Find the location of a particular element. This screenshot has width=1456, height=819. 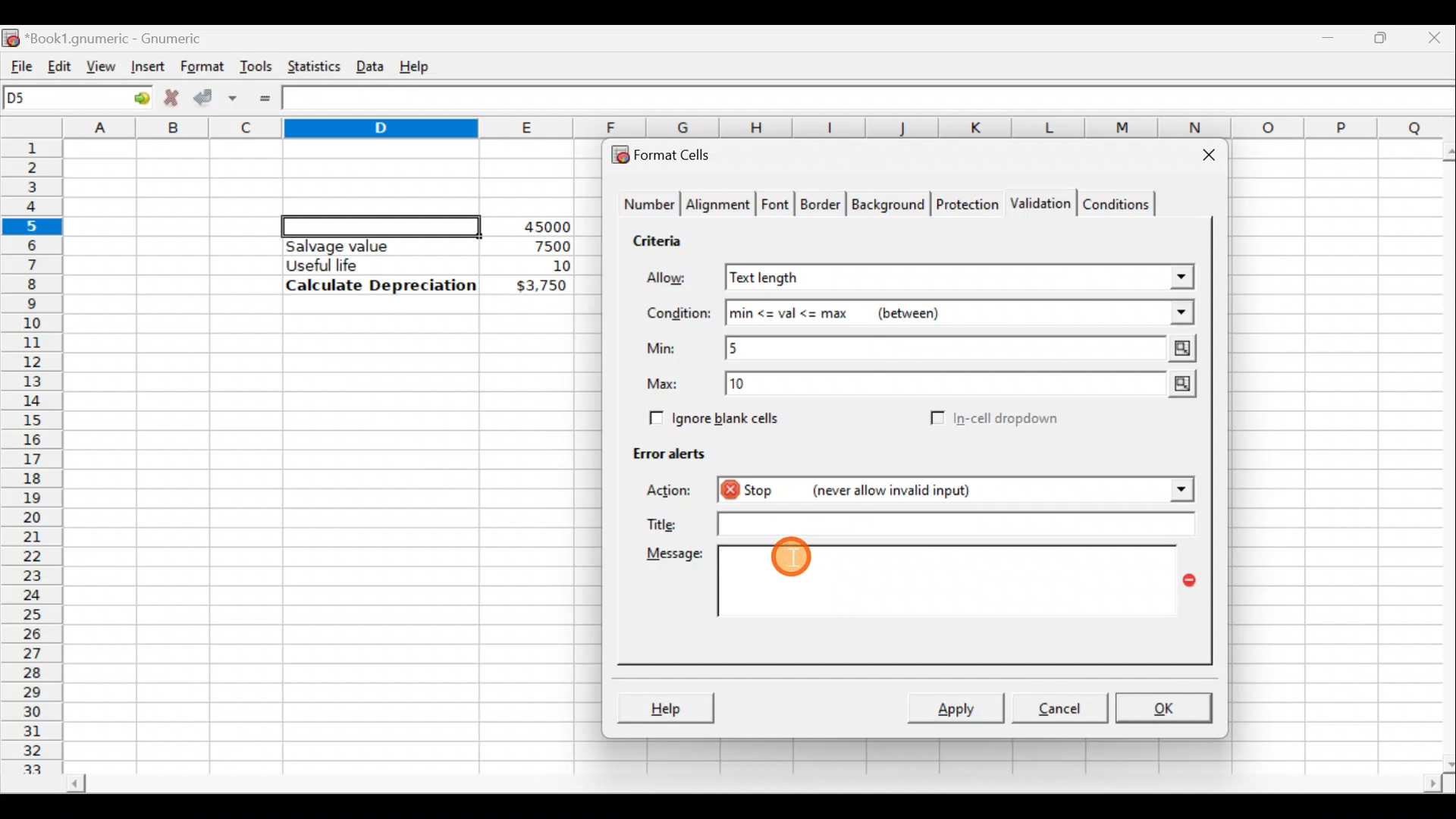

Message is located at coordinates (672, 557).